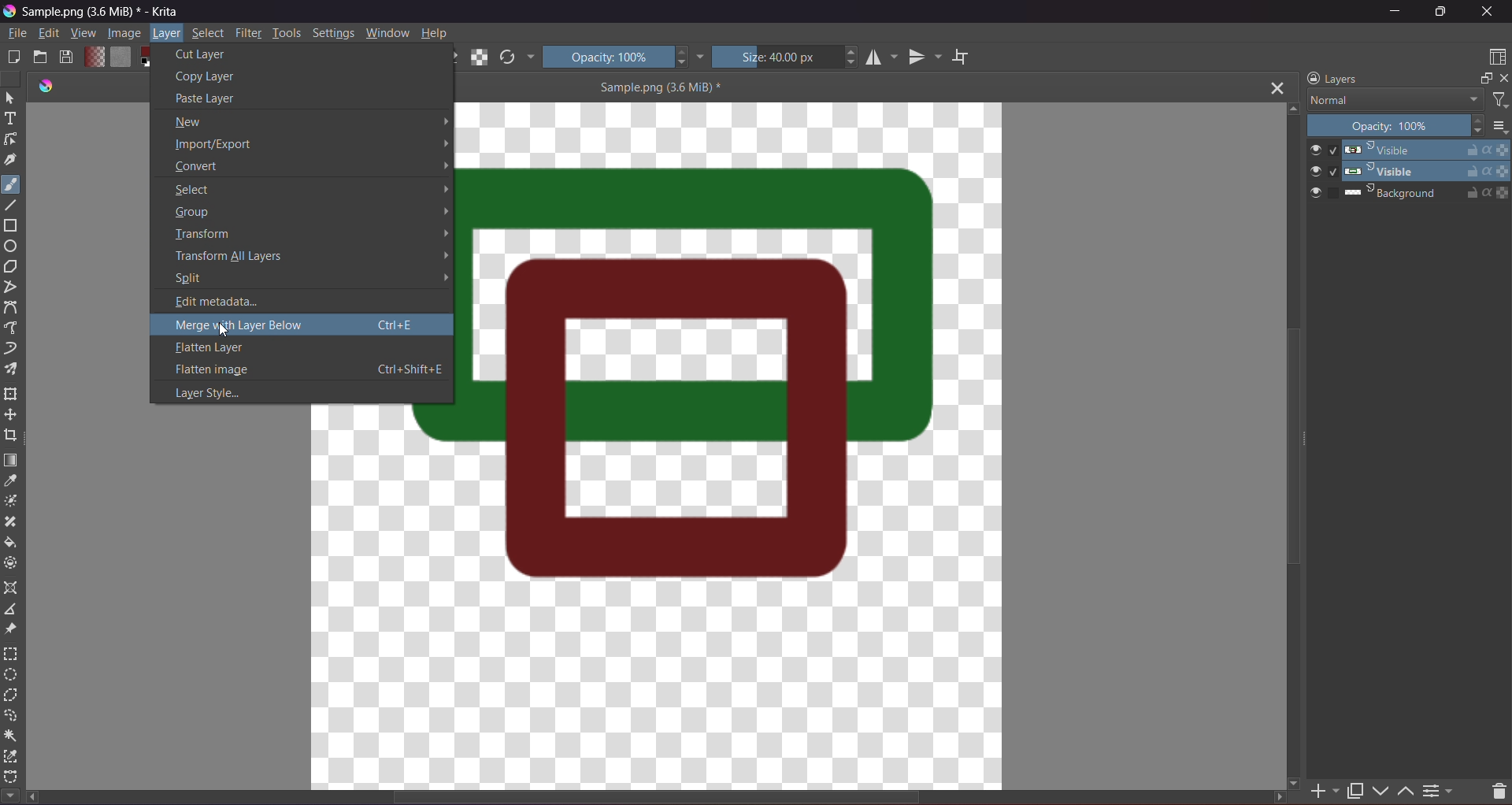  Describe the element at coordinates (1384, 788) in the screenshot. I see `Mask Down` at that location.